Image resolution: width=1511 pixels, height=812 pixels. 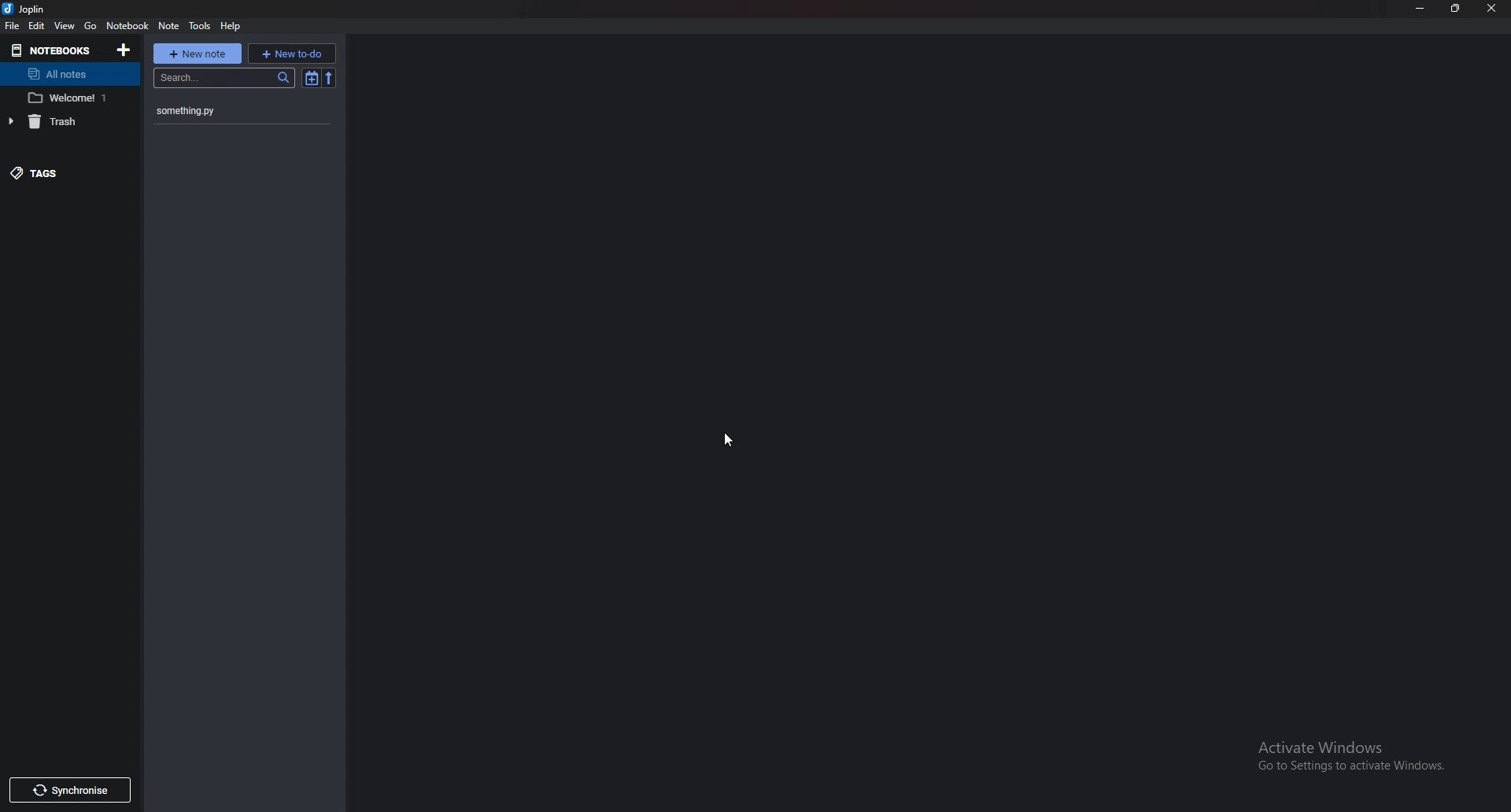 I want to click on activate windows, so click(x=1362, y=752).